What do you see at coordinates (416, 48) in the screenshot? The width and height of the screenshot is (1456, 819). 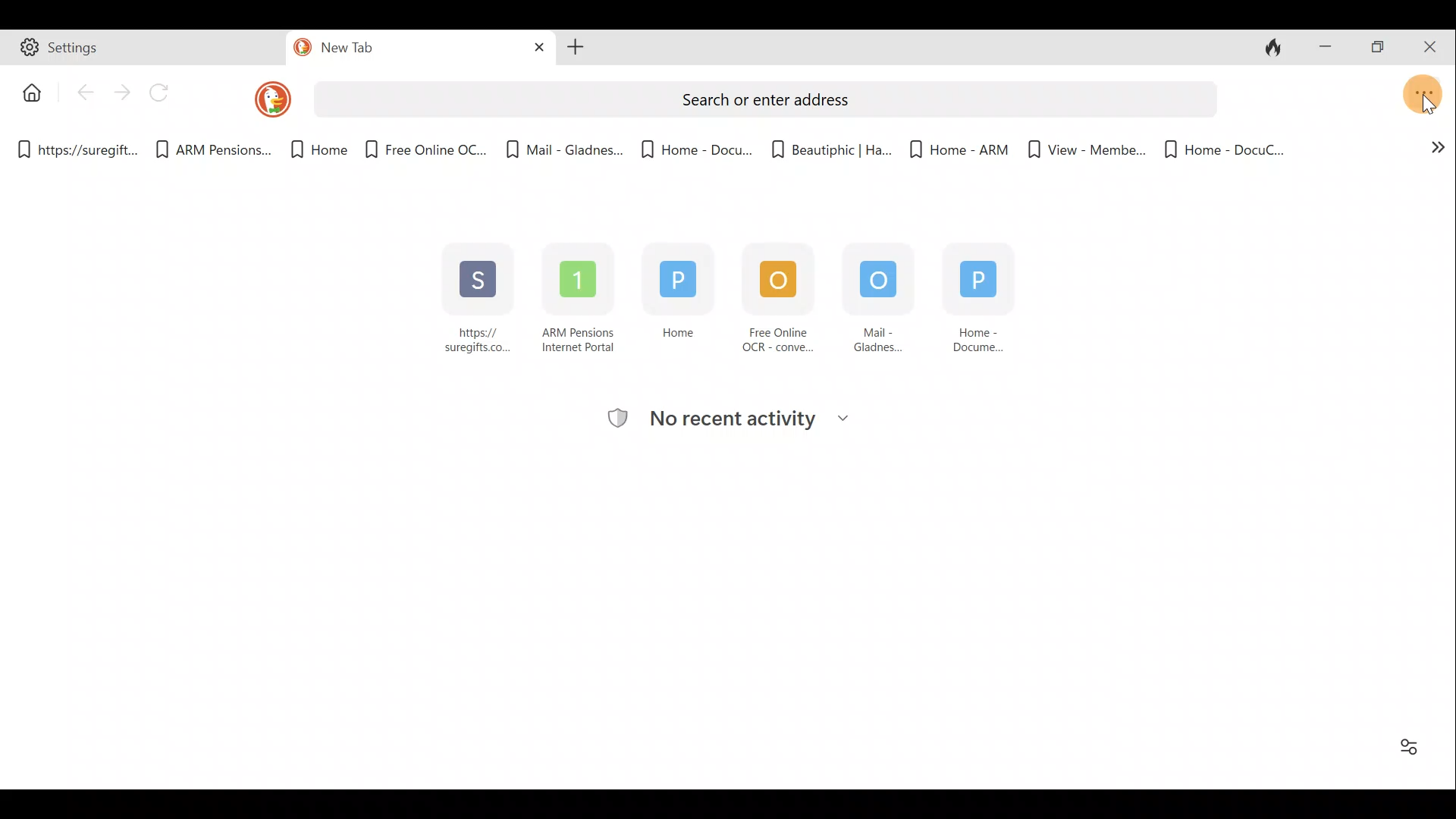 I see `new Tab ` at bounding box center [416, 48].